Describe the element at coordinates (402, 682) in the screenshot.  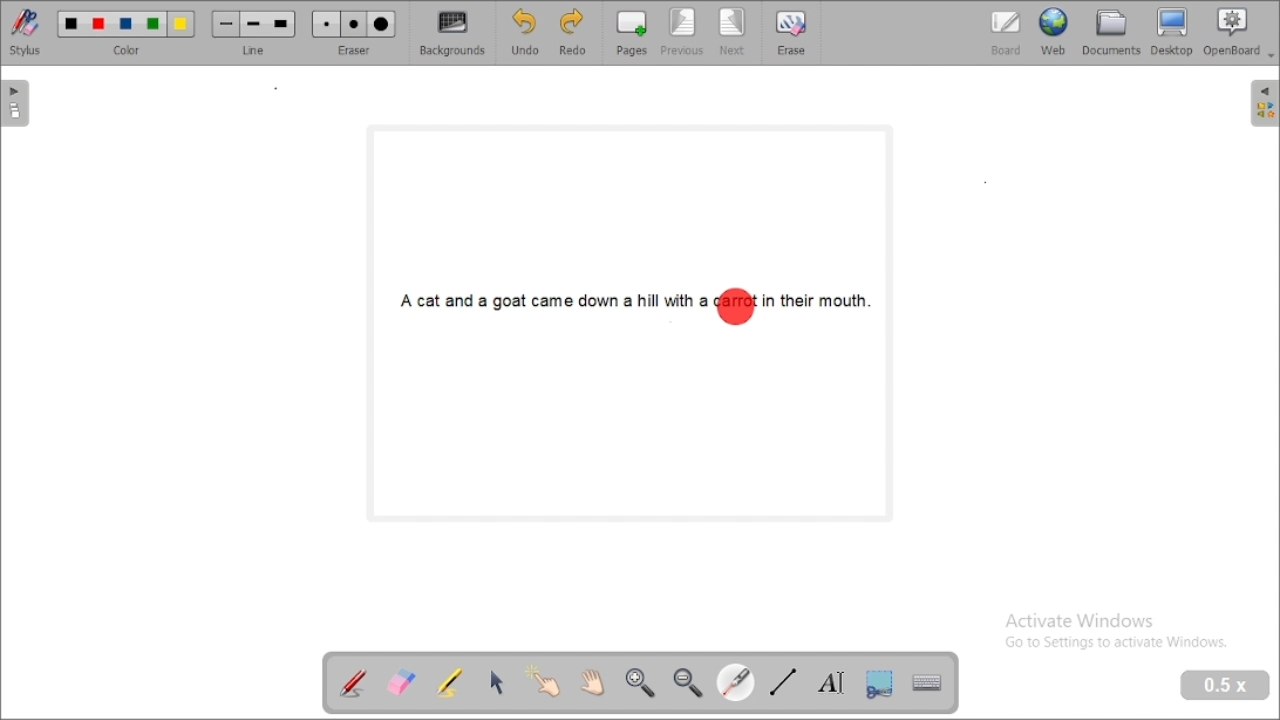
I see `erase annotation` at that location.